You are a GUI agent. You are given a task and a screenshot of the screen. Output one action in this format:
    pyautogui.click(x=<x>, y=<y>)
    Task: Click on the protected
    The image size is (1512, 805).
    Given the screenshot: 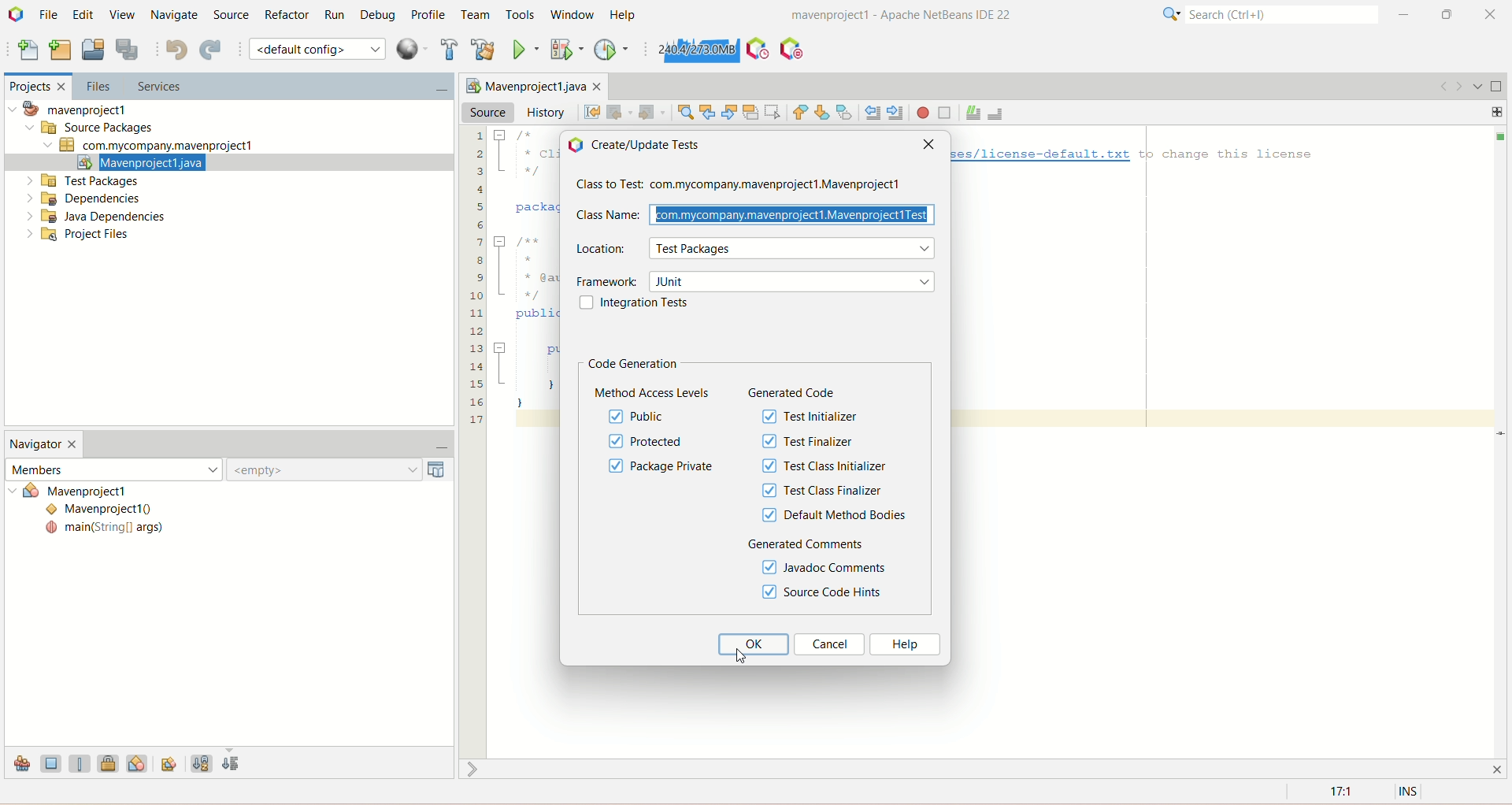 What is the action you would take?
    pyautogui.click(x=643, y=442)
    